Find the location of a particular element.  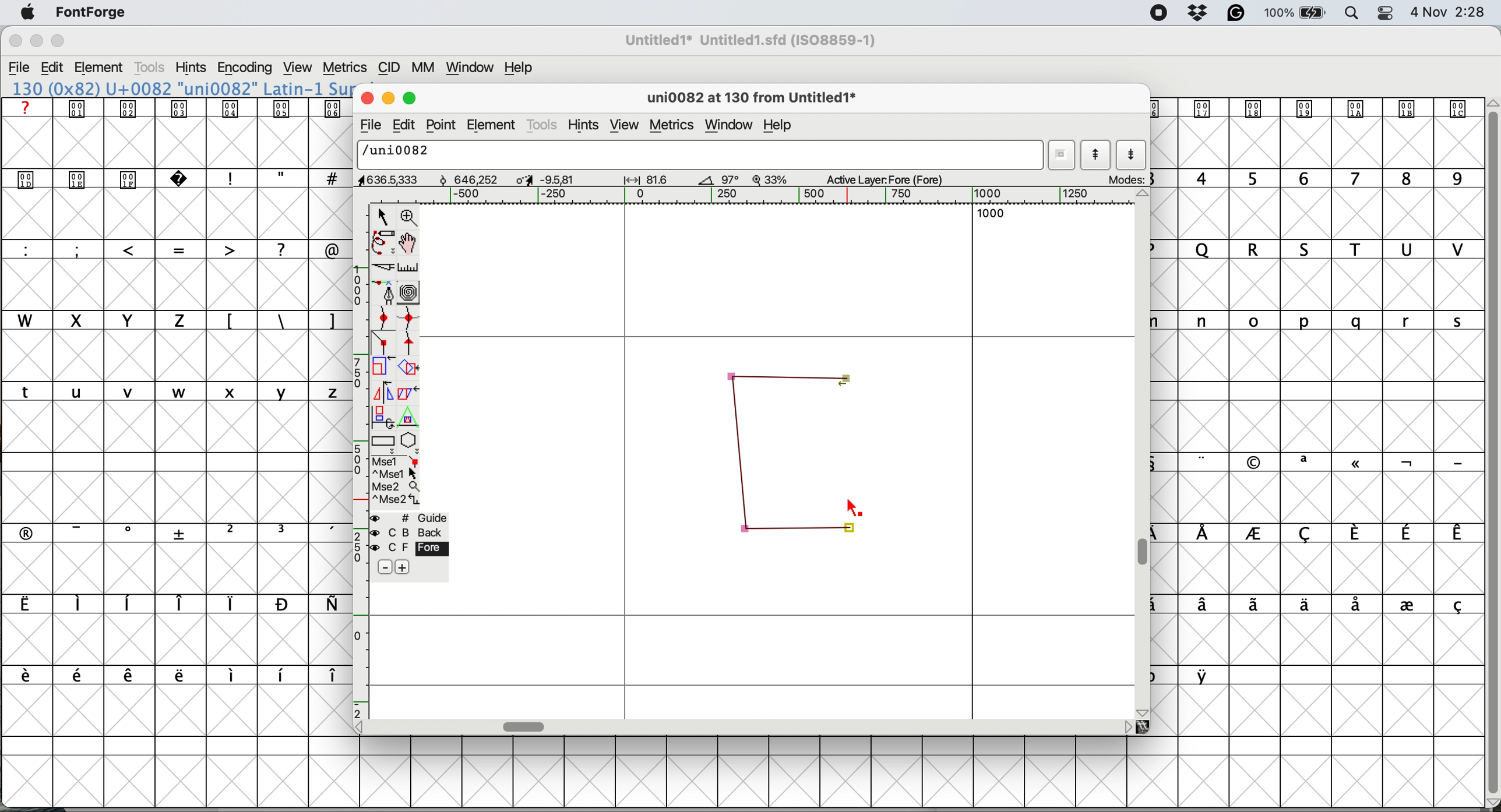

zoom factor is located at coordinates (770, 179).